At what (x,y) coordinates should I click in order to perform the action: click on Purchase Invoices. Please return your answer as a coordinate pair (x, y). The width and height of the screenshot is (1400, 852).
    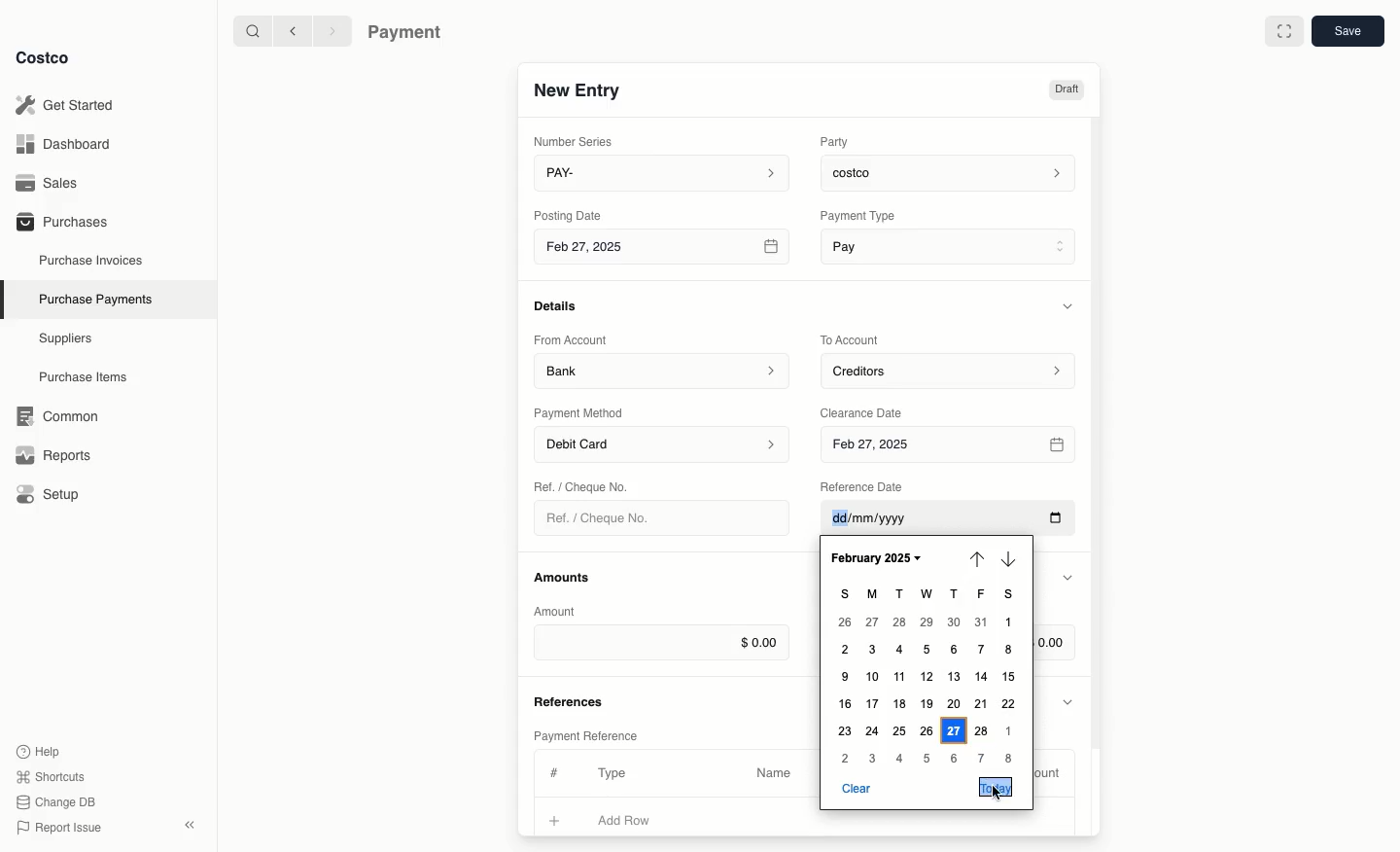
    Looking at the image, I should click on (92, 260).